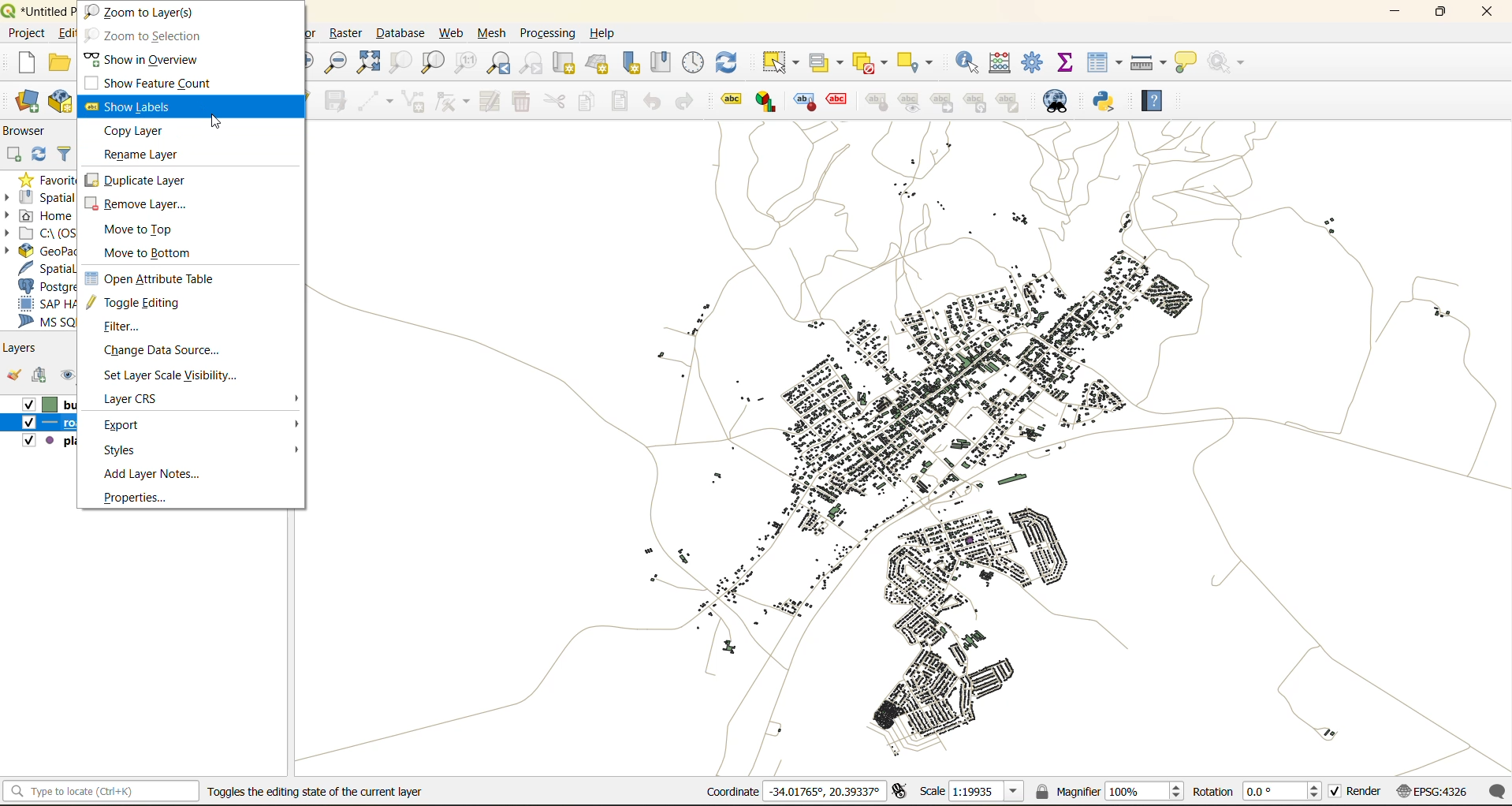 This screenshot has height=806, width=1512. What do you see at coordinates (490, 33) in the screenshot?
I see `mesh` at bounding box center [490, 33].